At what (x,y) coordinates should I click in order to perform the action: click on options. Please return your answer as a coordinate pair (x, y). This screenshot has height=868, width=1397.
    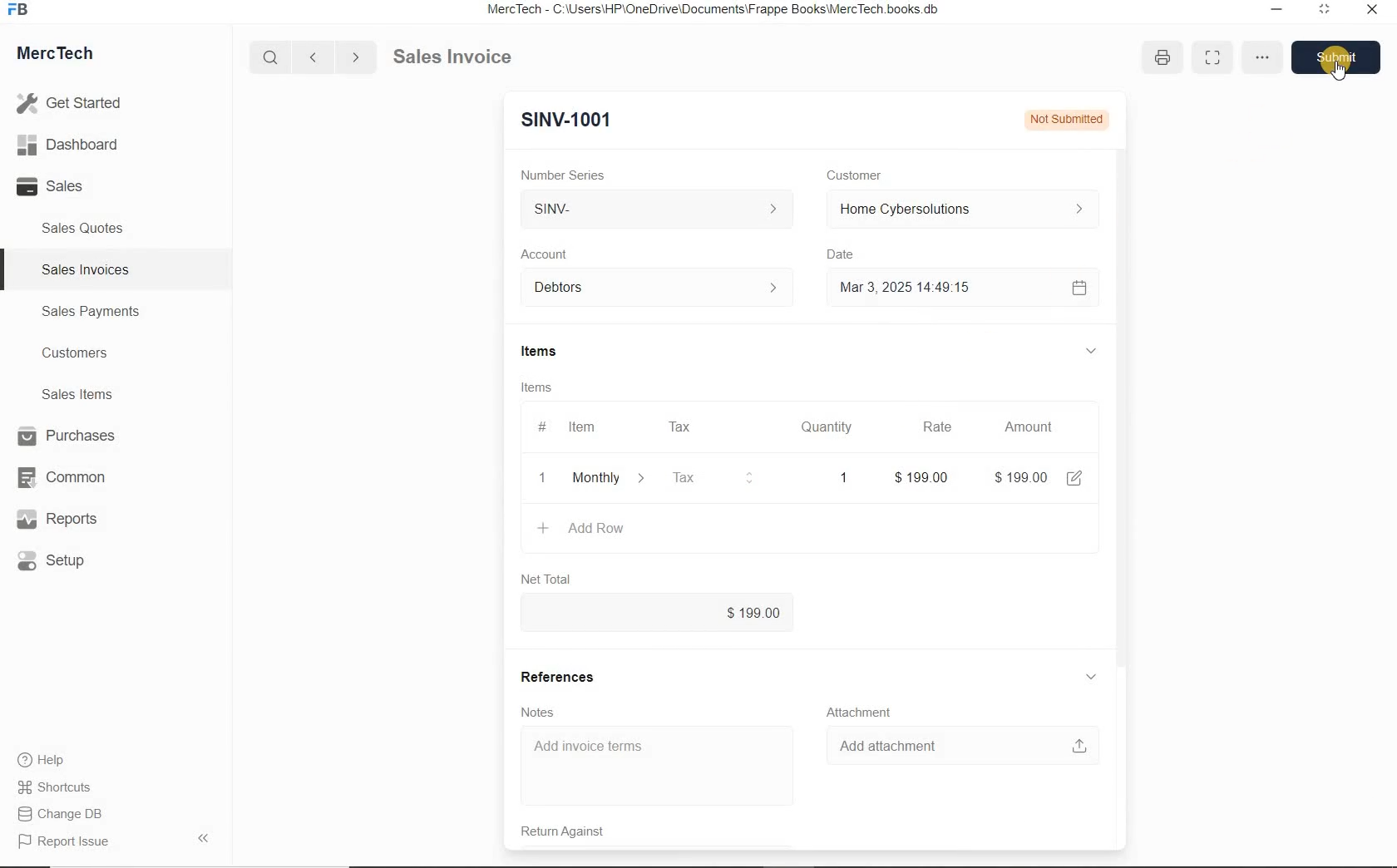
    Looking at the image, I should click on (1262, 59).